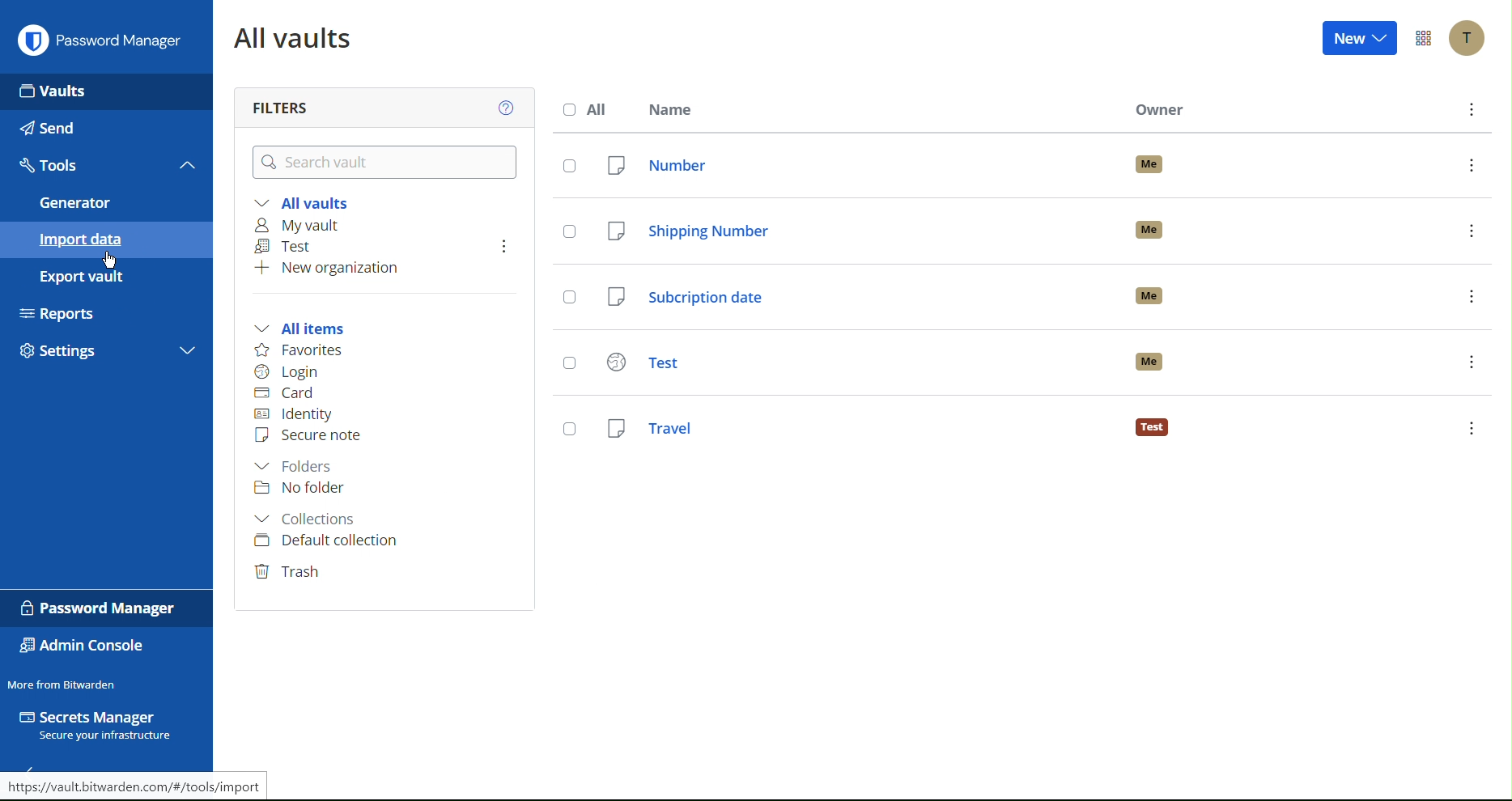  I want to click on Login, so click(290, 372).